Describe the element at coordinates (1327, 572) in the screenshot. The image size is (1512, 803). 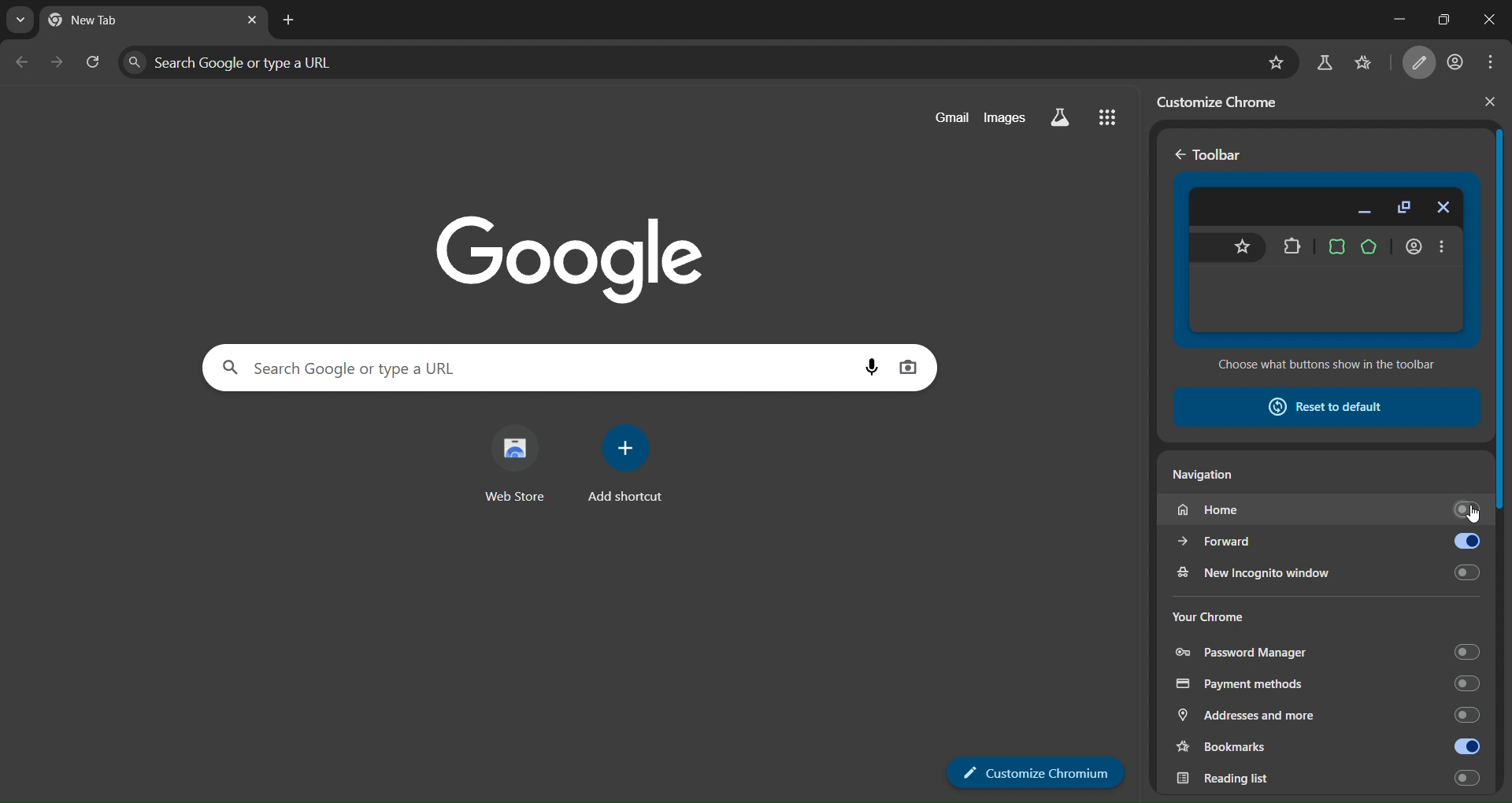
I see `new incognito window` at that location.